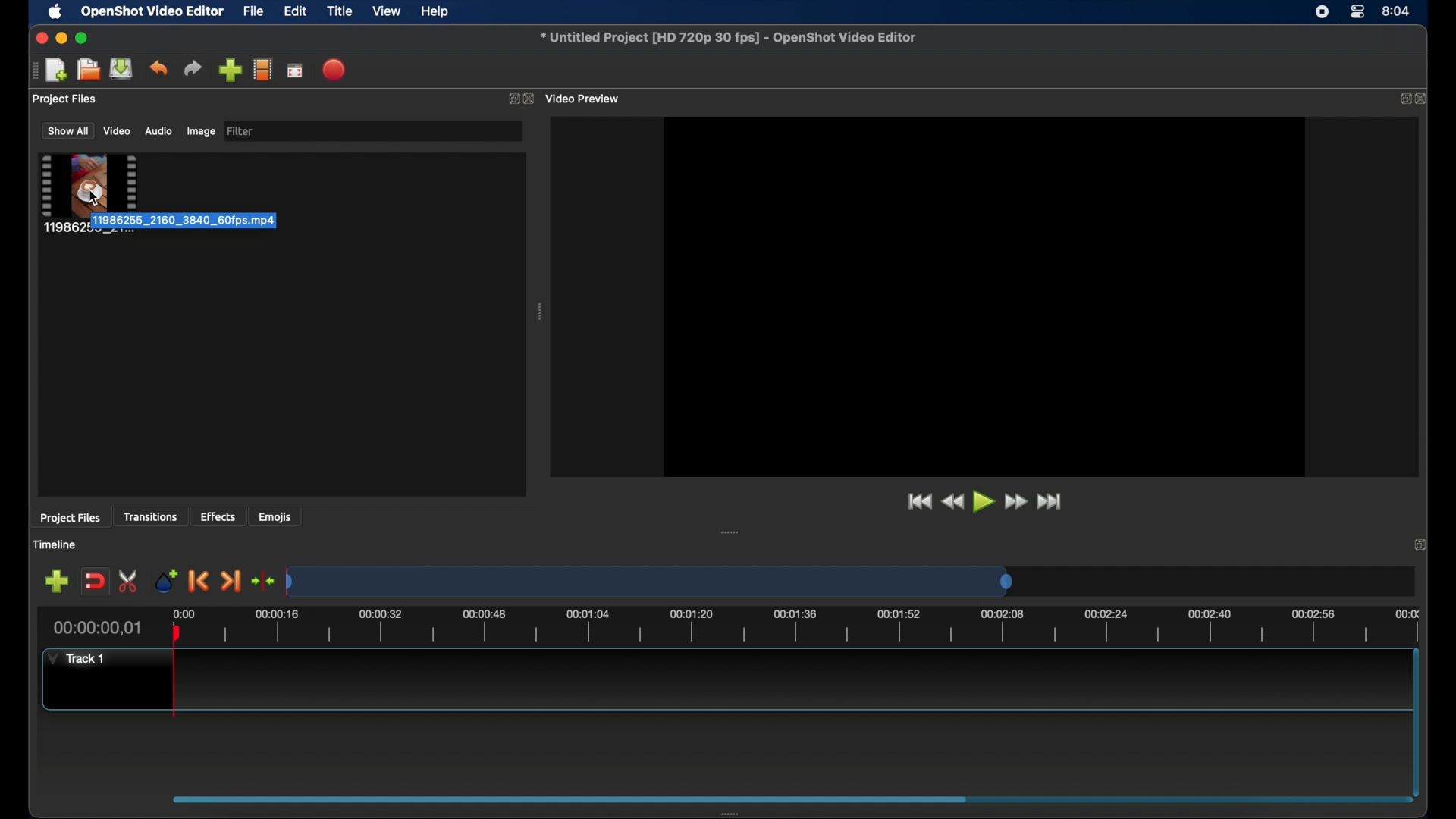 The width and height of the screenshot is (1456, 819). I want to click on jump to end, so click(1049, 502).